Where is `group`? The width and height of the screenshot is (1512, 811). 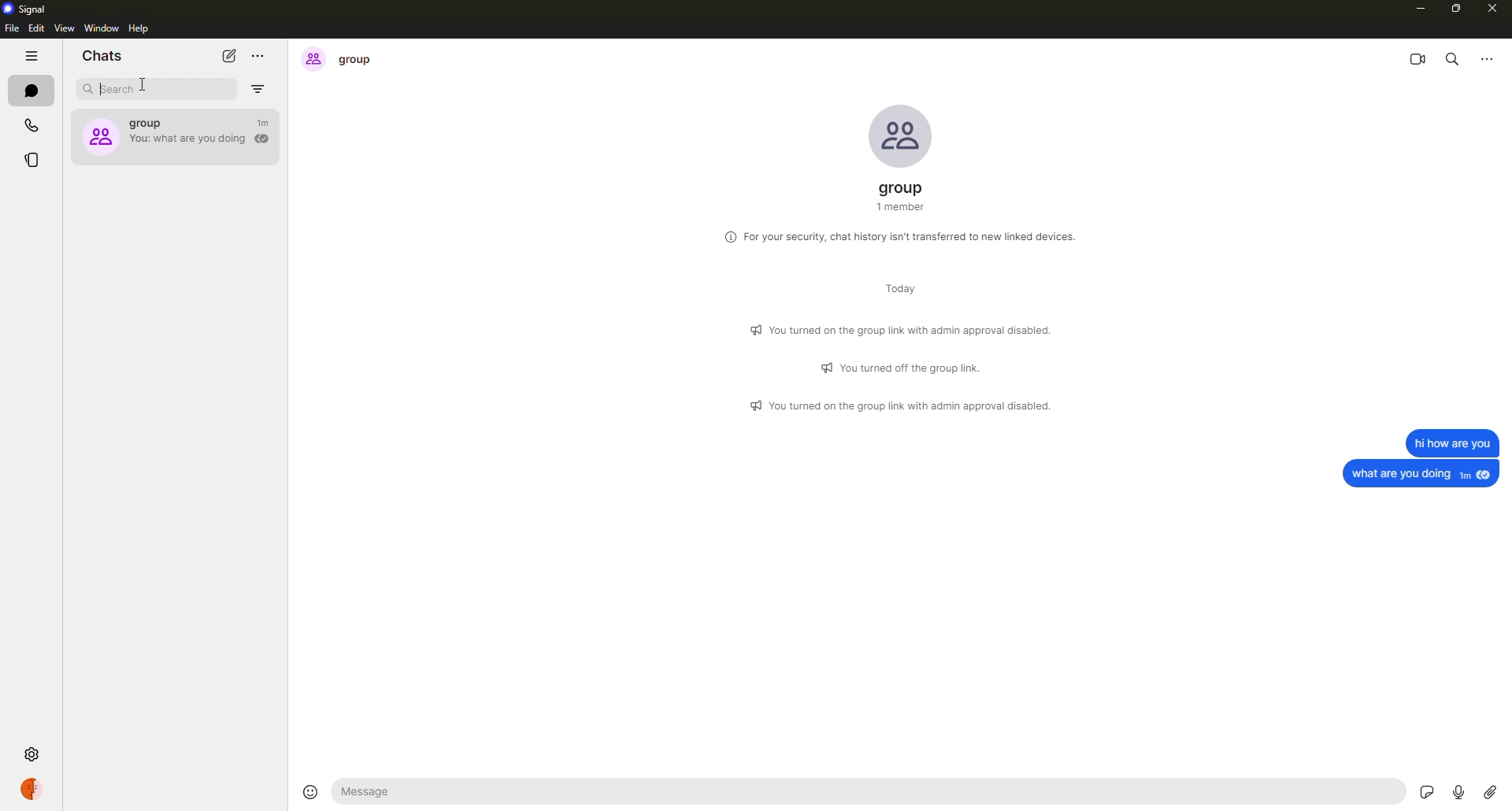 group is located at coordinates (904, 197).